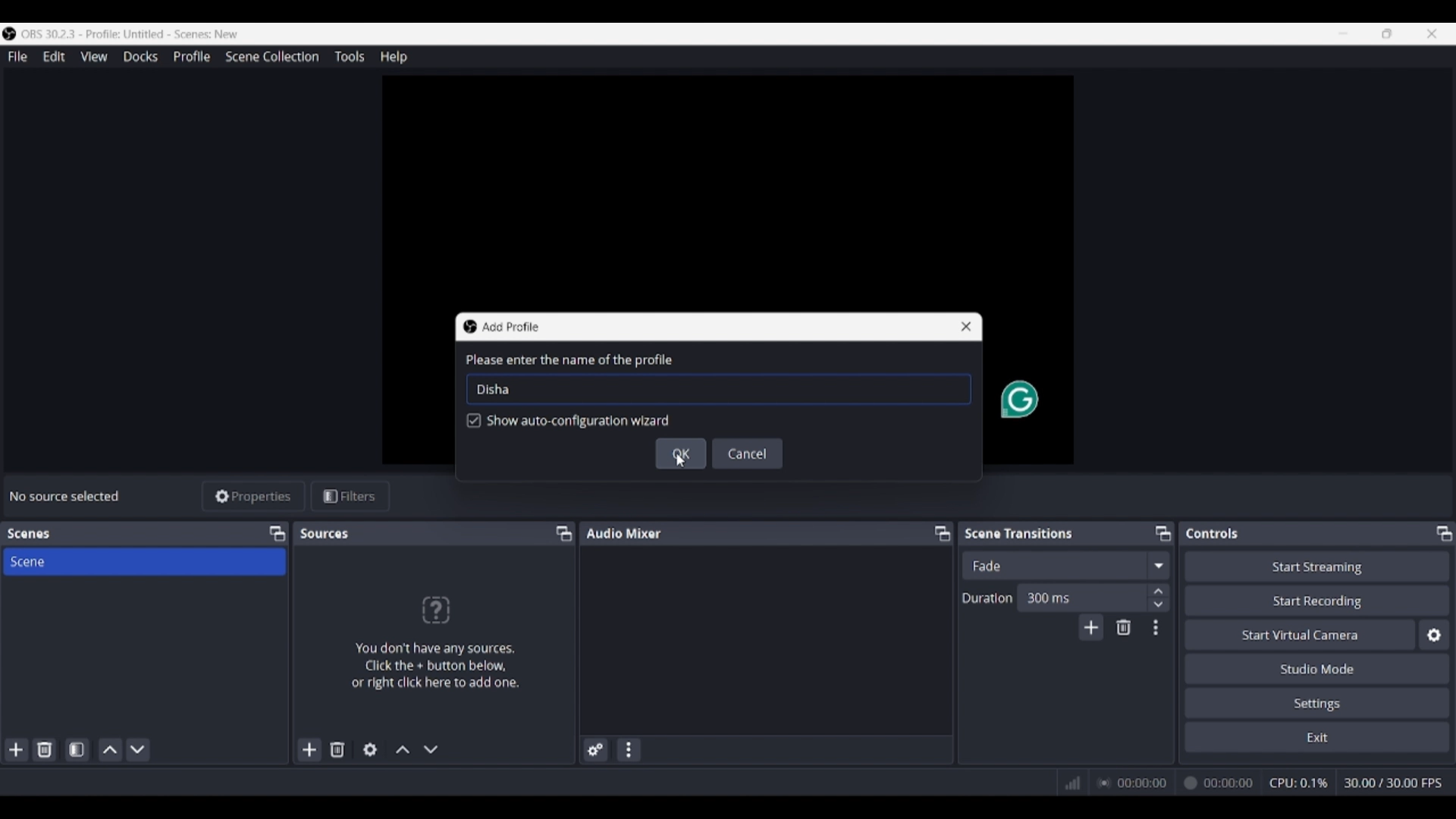 This screenshot has width=1456, height=819. What do you see at coordinates (394, 57) in the screenshot?
I see `Help menu` at bounding box center [394, 57].